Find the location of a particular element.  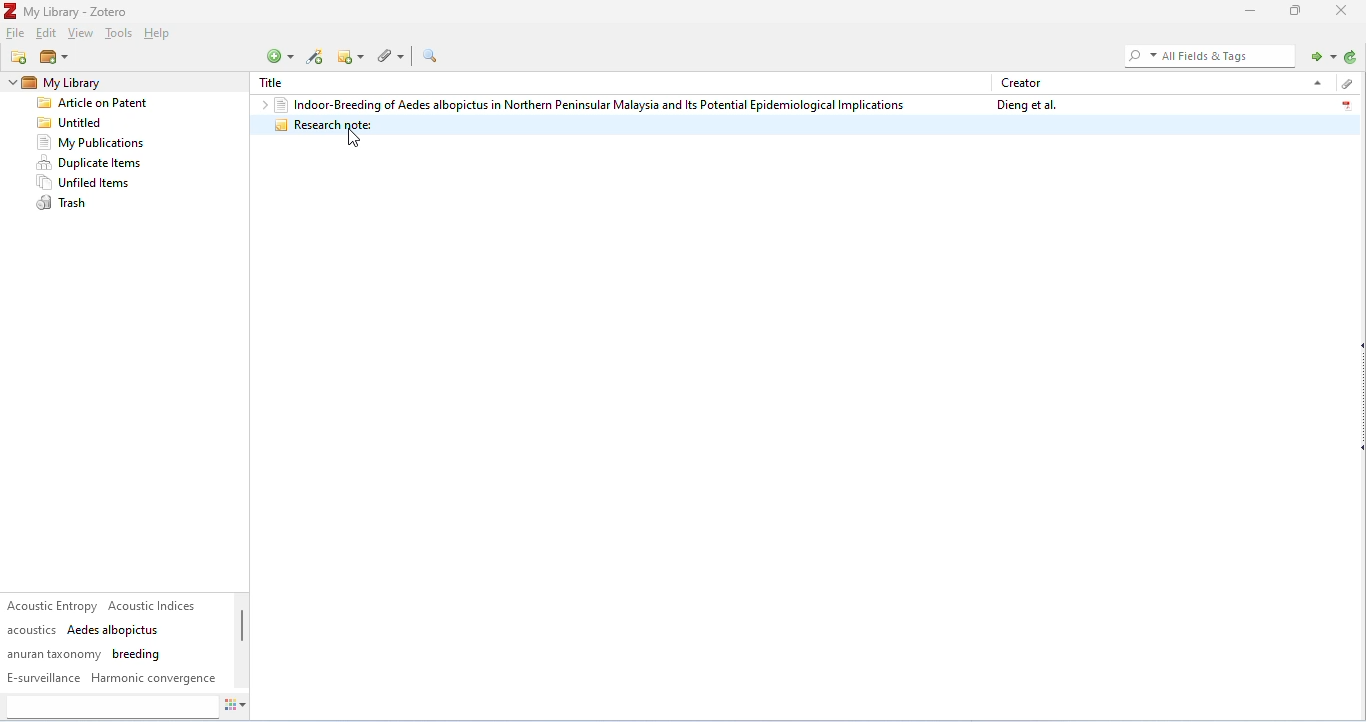

all fields and tagd is located at coordinates (1207, 55).